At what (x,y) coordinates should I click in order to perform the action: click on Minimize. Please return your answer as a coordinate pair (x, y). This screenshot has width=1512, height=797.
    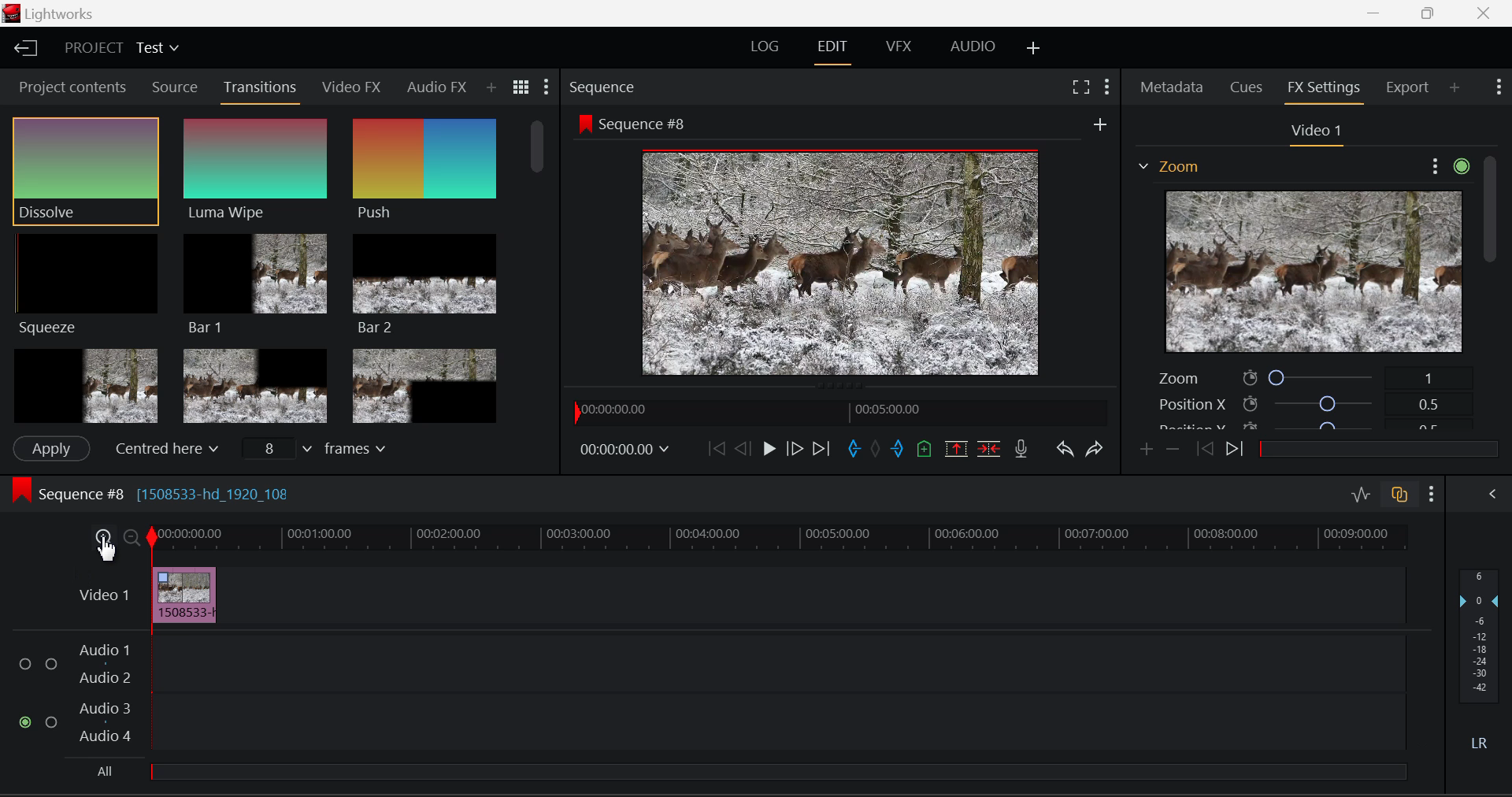
    Looking at the image, I should click on (1430, 13).